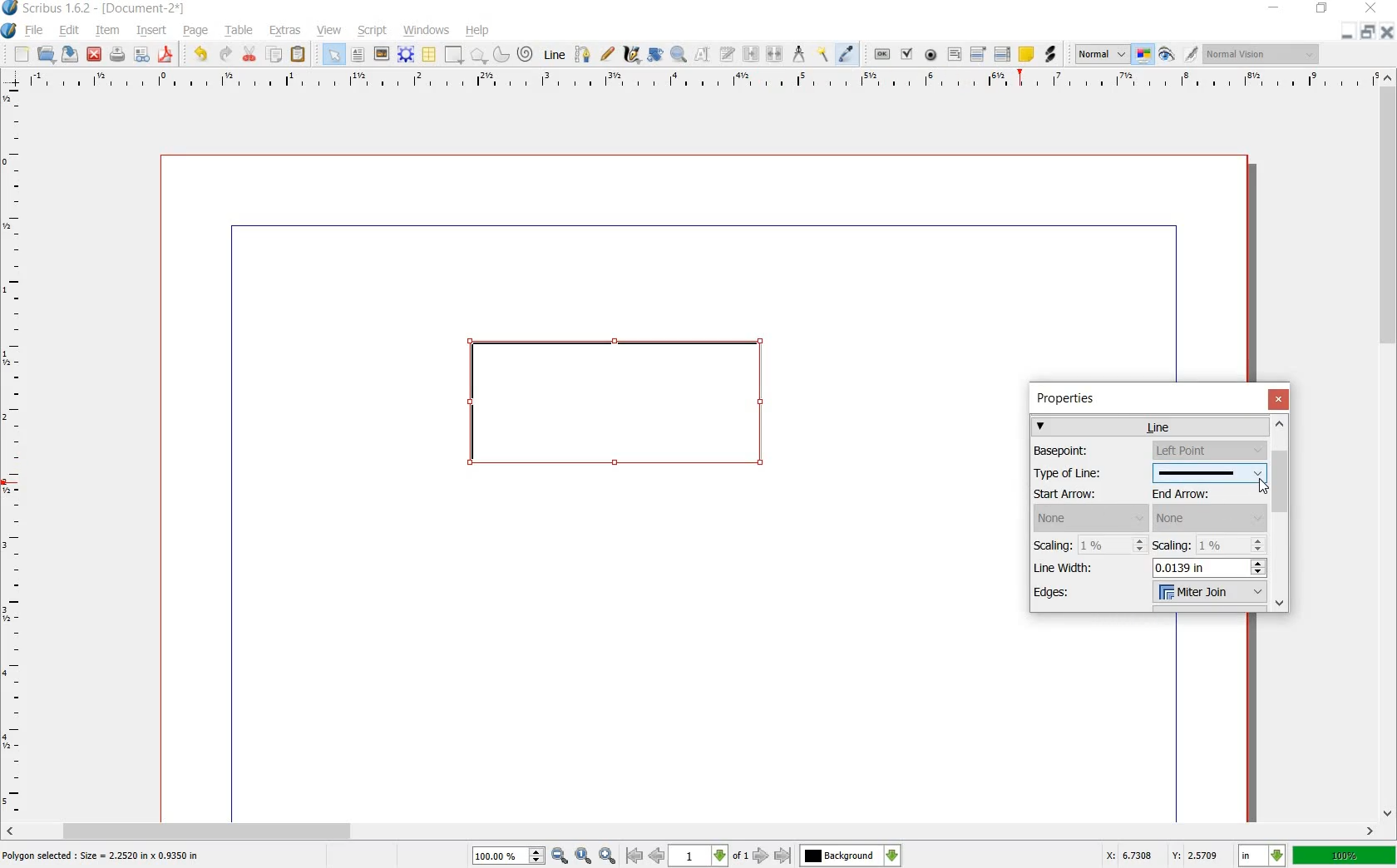 The height and width of the screenshot is (868, 1397). I want to click on basepoint, so click(1209, 451).